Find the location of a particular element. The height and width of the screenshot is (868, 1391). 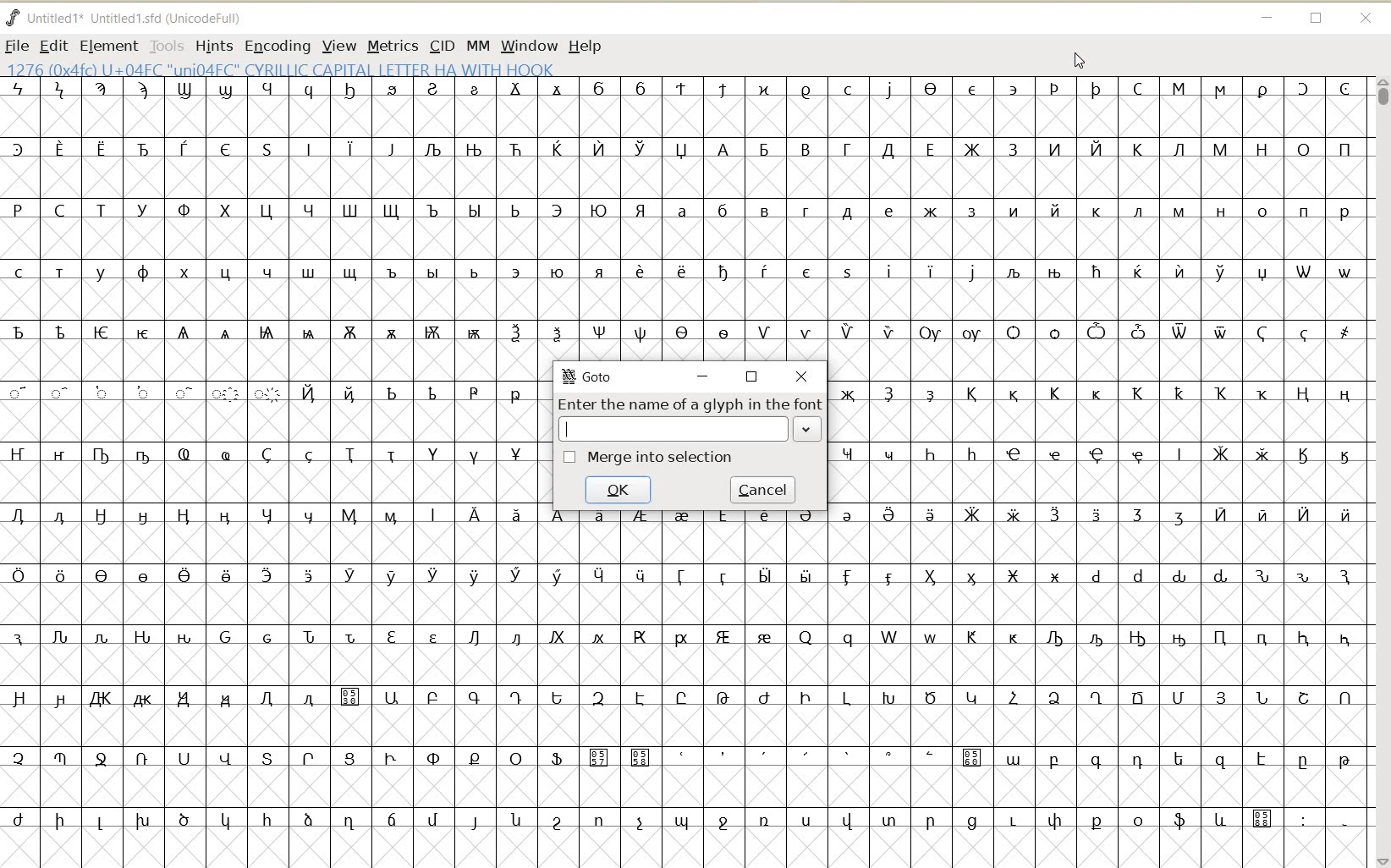

Glyph characters and numbers is located at coordinates (269, 474).